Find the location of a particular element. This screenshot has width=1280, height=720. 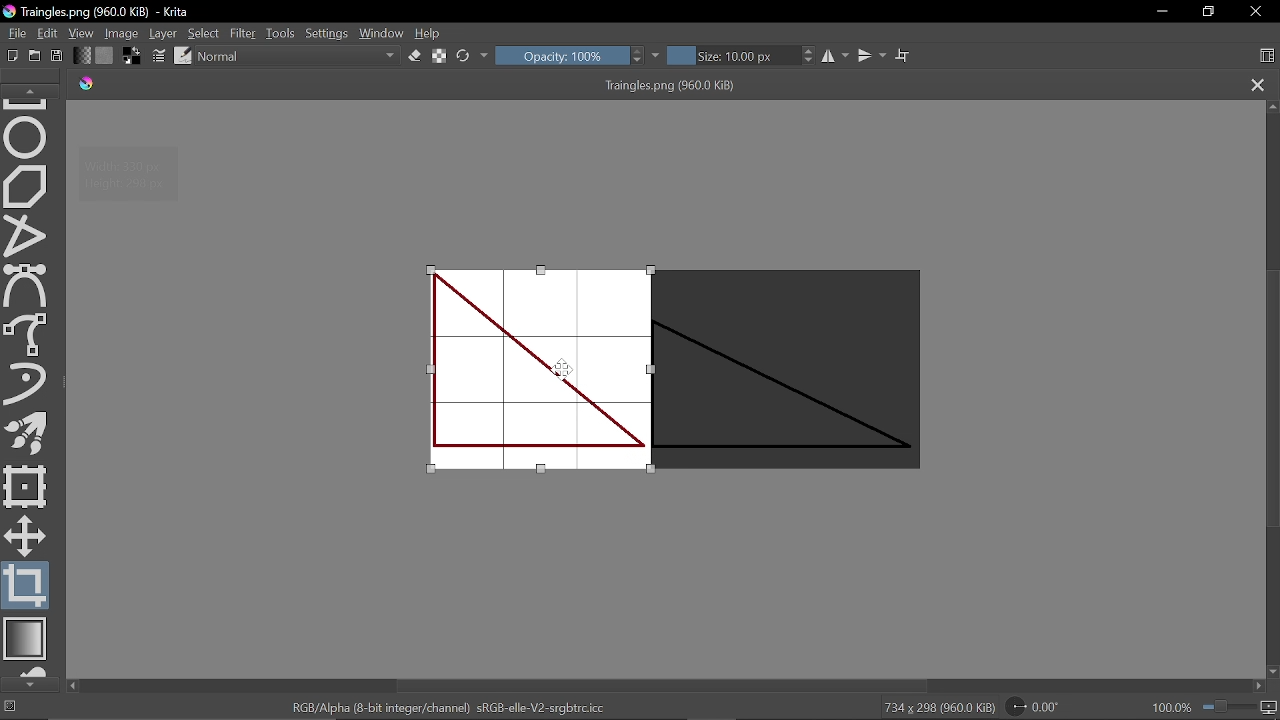

Reload original preset is located at coordinates (464, 56).